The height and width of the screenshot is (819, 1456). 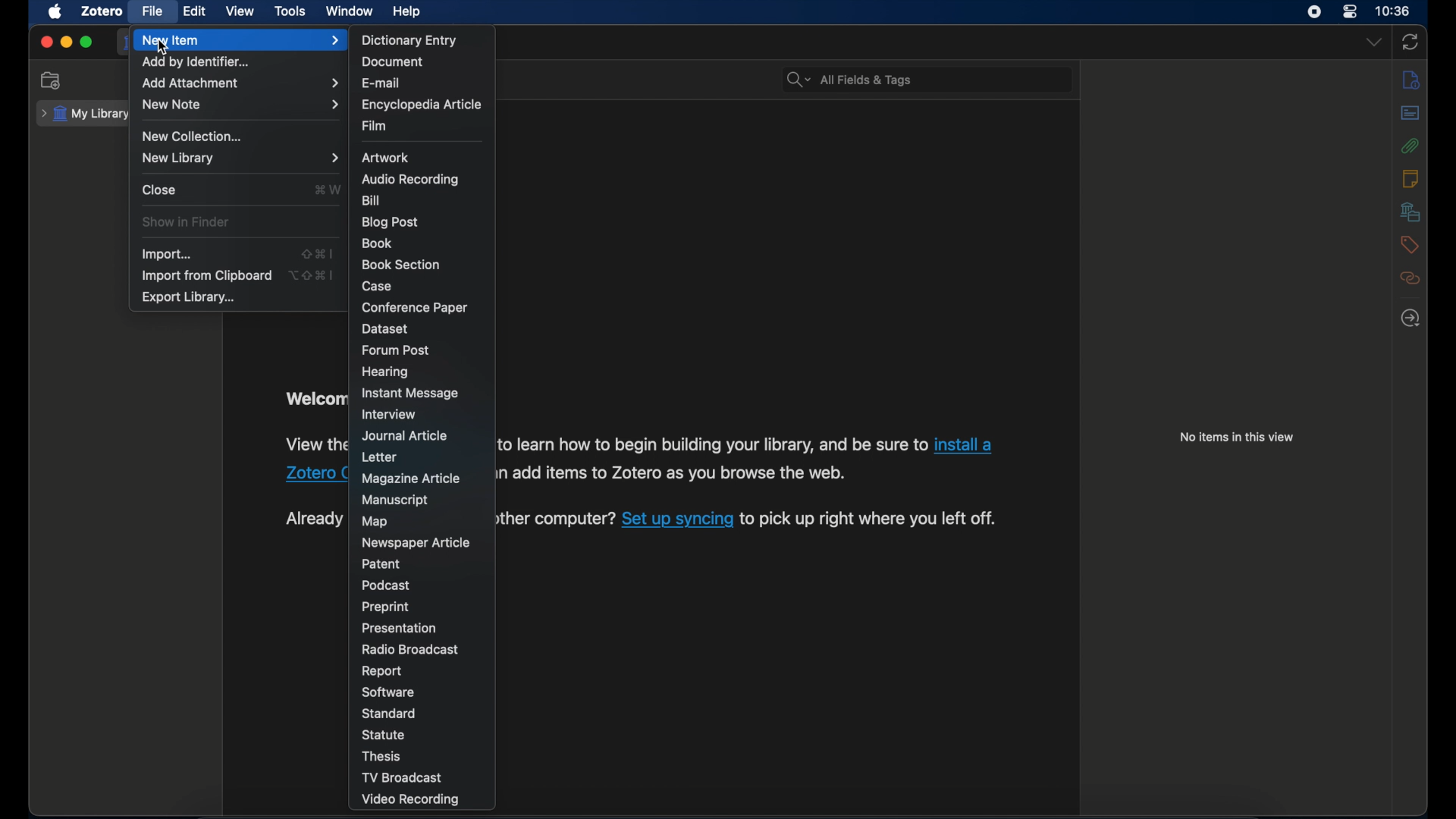 What do you see at coordinates (1411, 42) in the screenshot?
I see `sync` at bounding box center [1411, 42].